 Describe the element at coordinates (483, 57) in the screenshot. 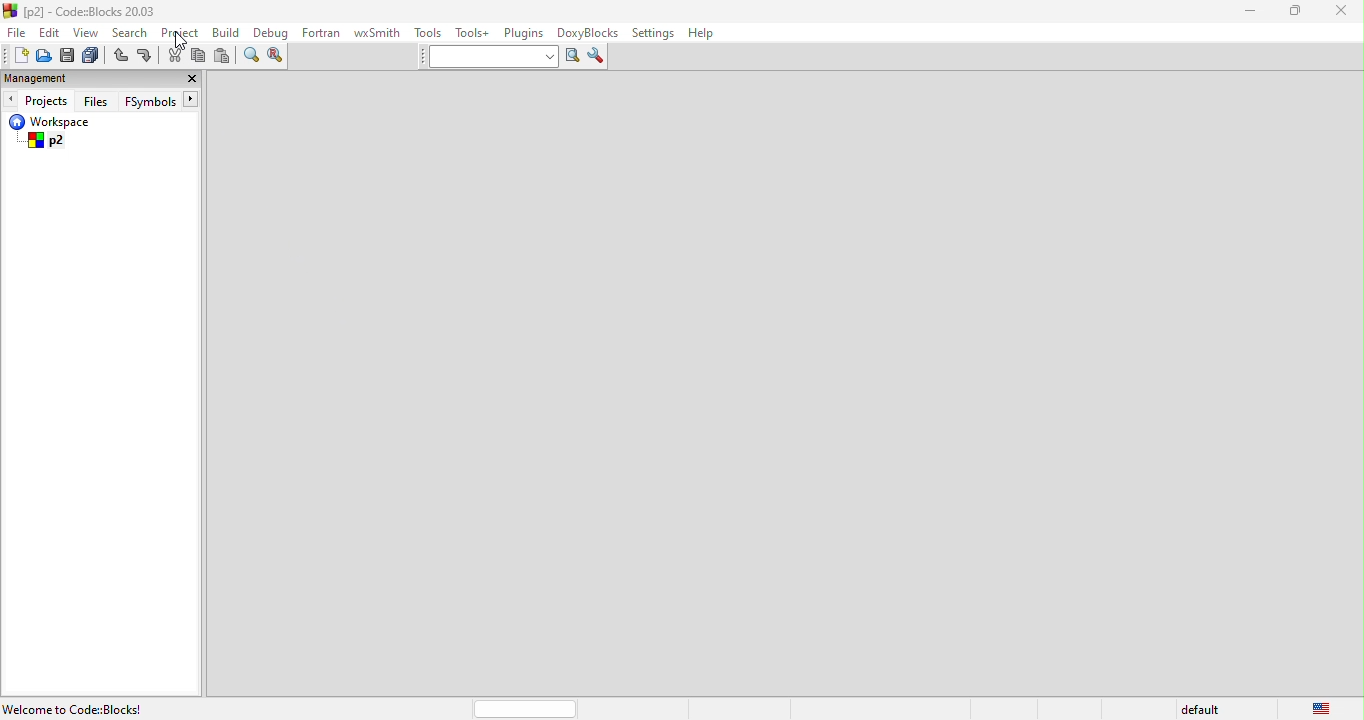

I see `text to search` at that location.